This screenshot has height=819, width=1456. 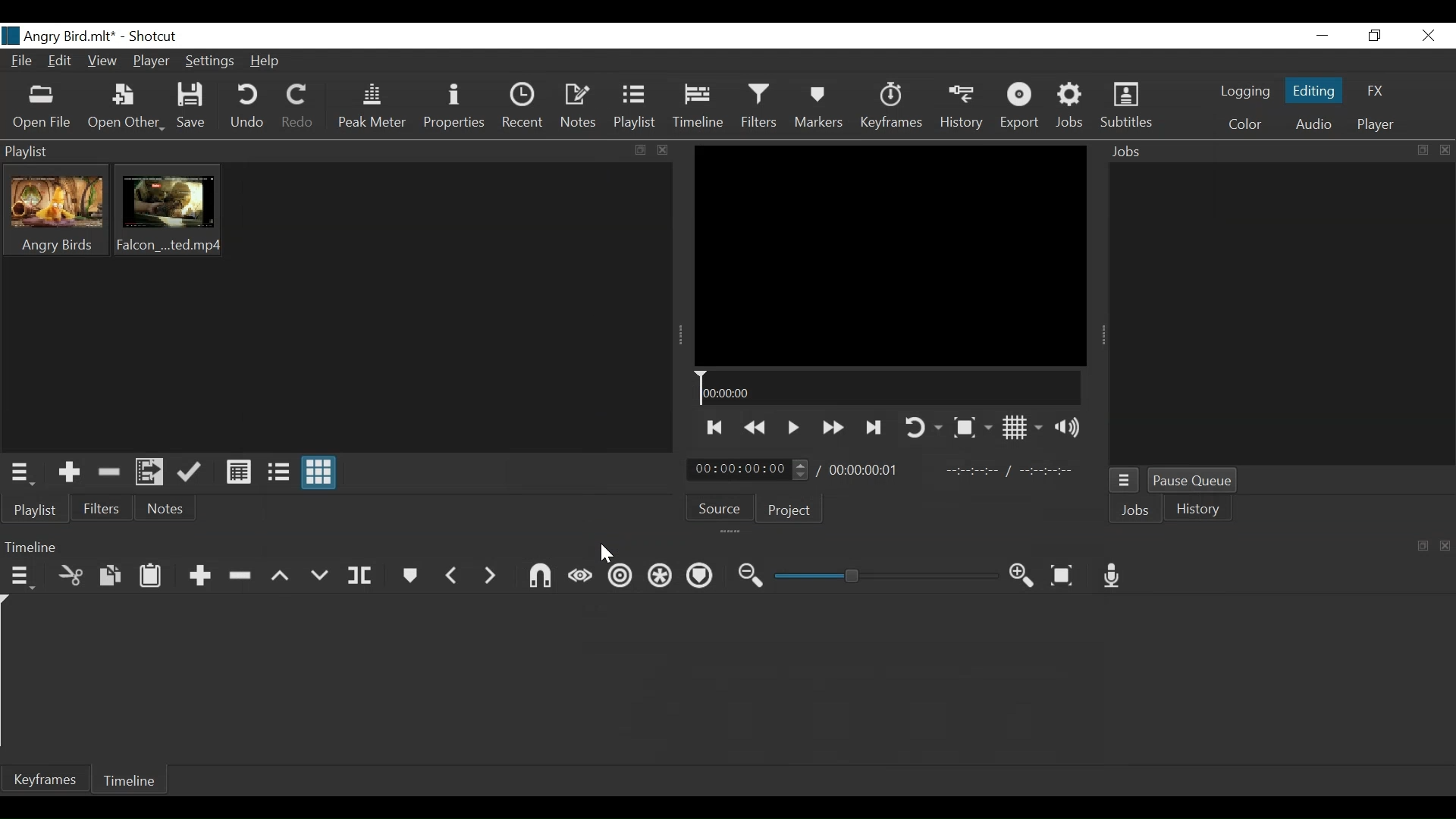 What do you see at coordinates (1427, 35) in the screenshot?
I see `Close` at bounding box center [1427, 35].